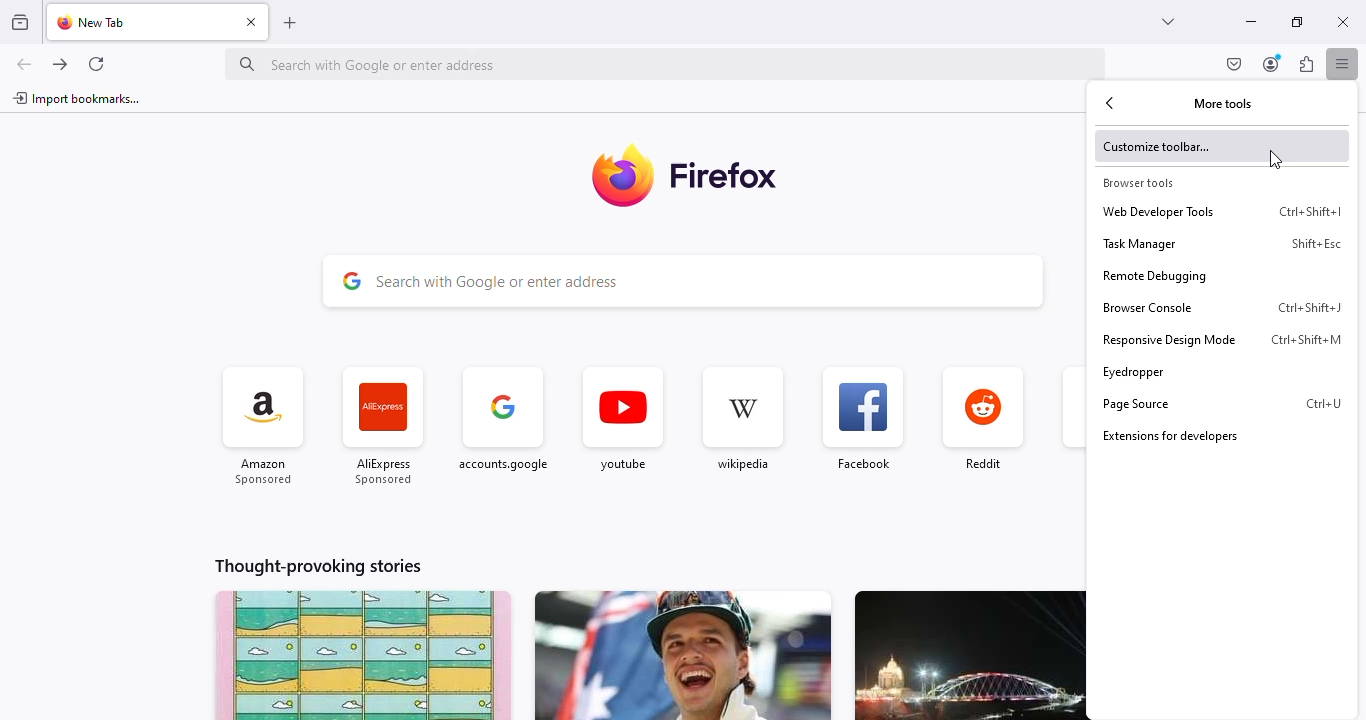  Describe the element at coordinates (1317, 243) in the screenshot. I see `shortcut for task manager` at that location.